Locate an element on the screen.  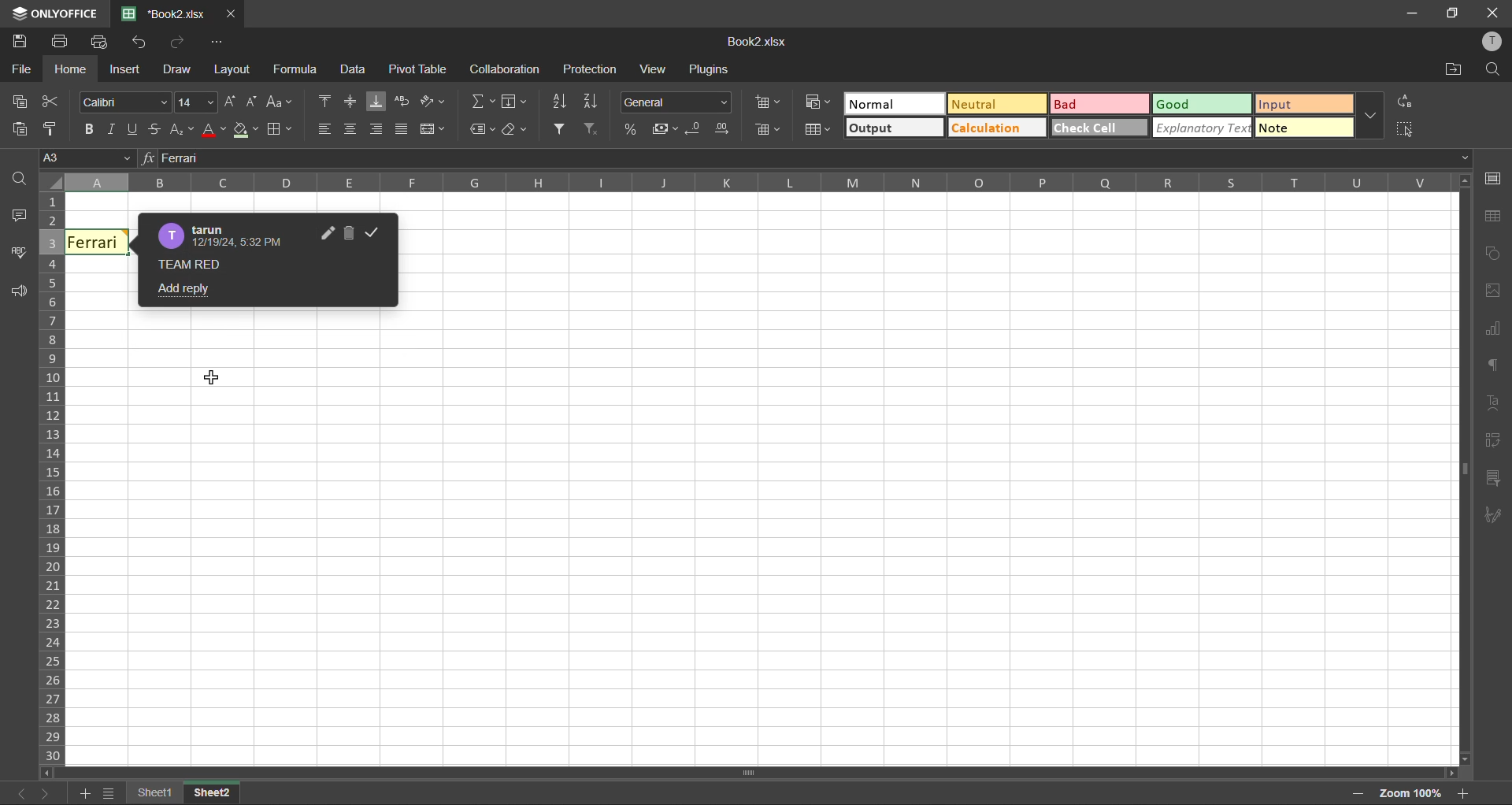
align left is located at coordinates (325, 129).